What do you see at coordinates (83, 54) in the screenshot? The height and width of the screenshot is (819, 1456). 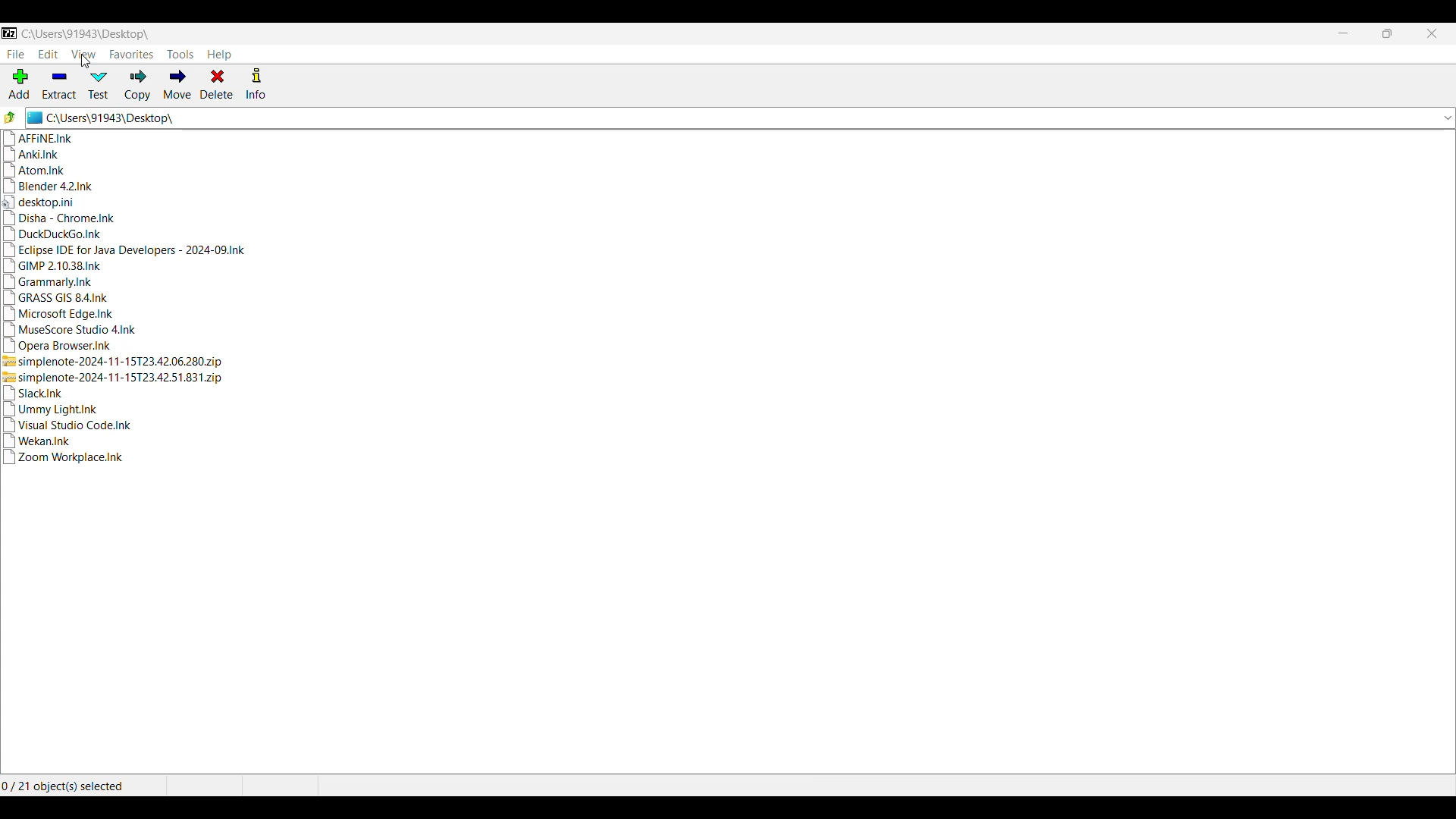 I see `View` at bounding box center [83, 54].